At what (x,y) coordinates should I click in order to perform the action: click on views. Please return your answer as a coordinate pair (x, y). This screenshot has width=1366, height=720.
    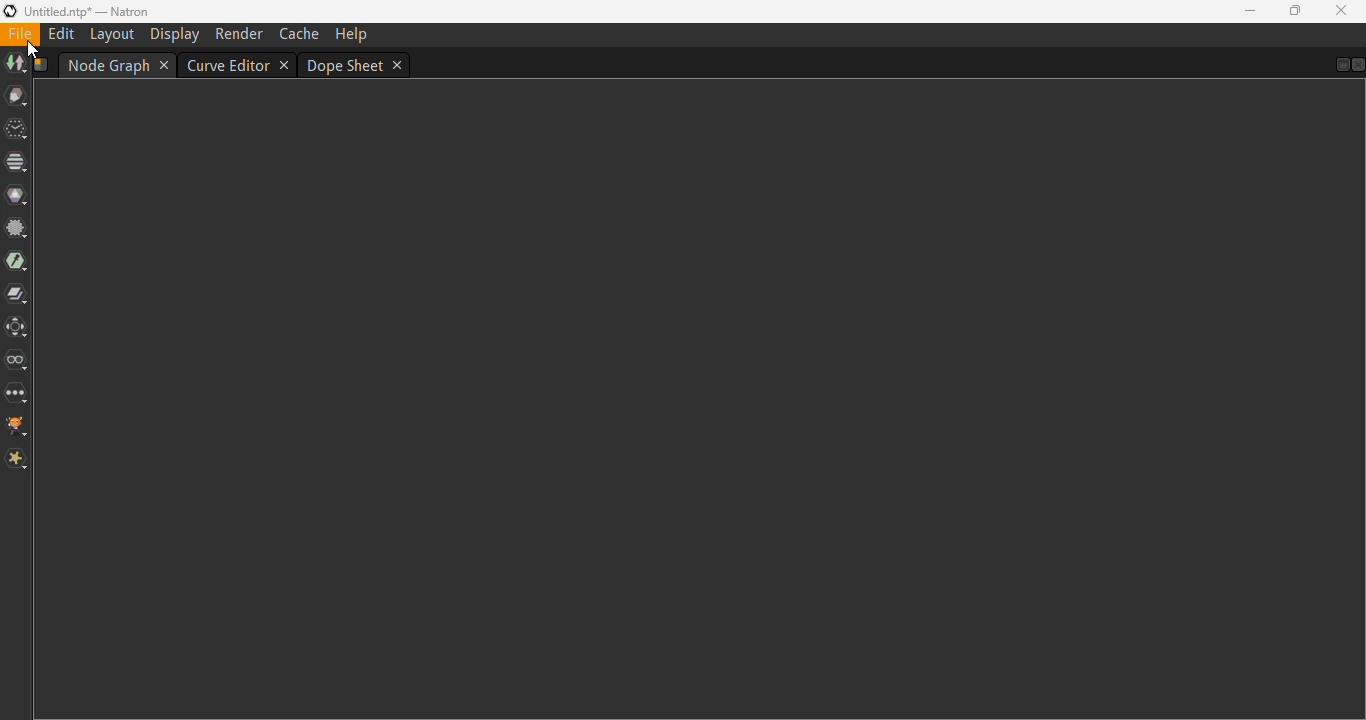
    Looking at the image, I should click on (18, 362).